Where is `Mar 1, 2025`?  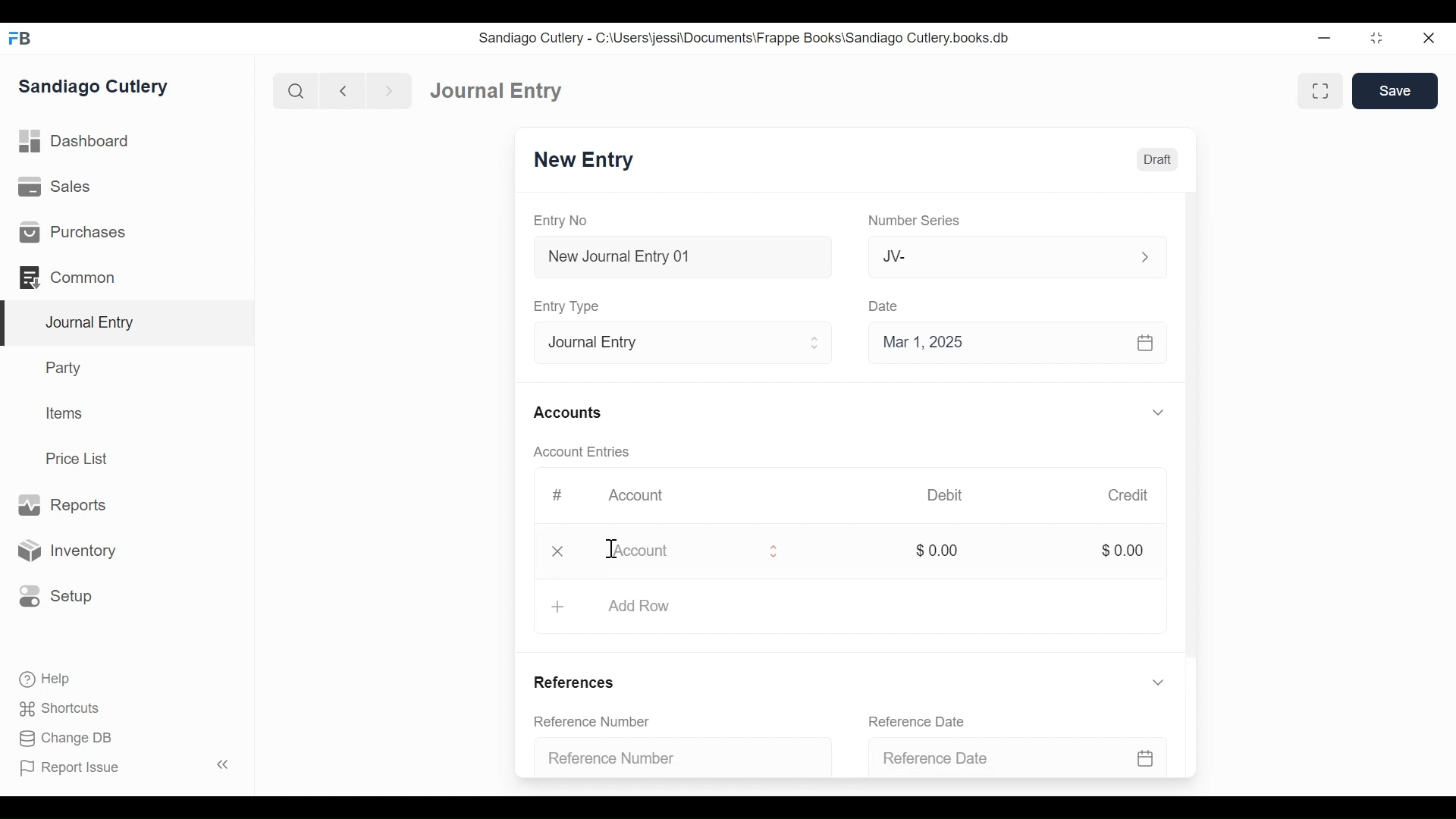
Mar 1, 2025 is located at coordinates (1018, 341).